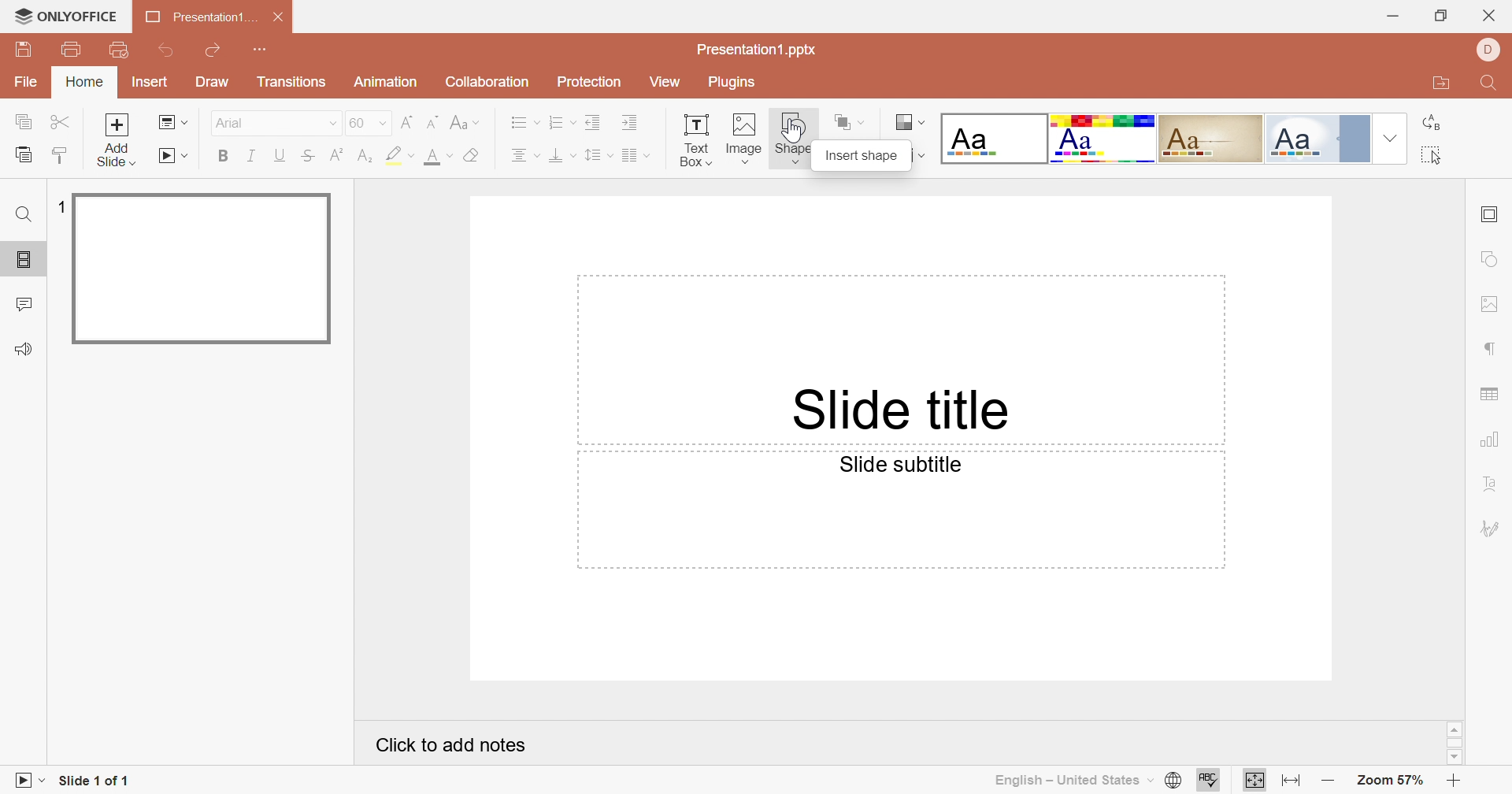 The image size is (1512, 794). I want to click on Cut, so click(61, 123).